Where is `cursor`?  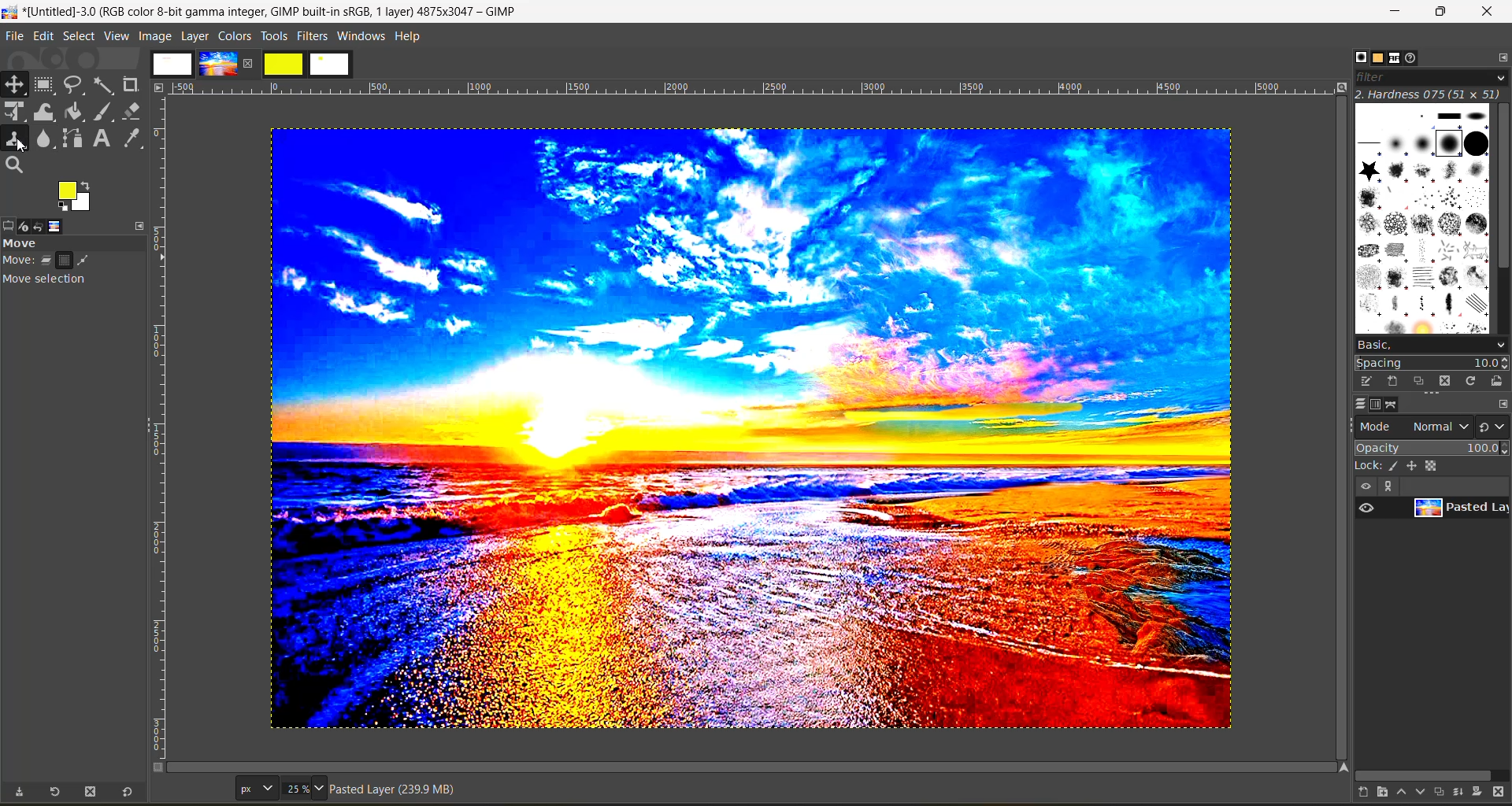
cursor is located at coordinates (23, 147).